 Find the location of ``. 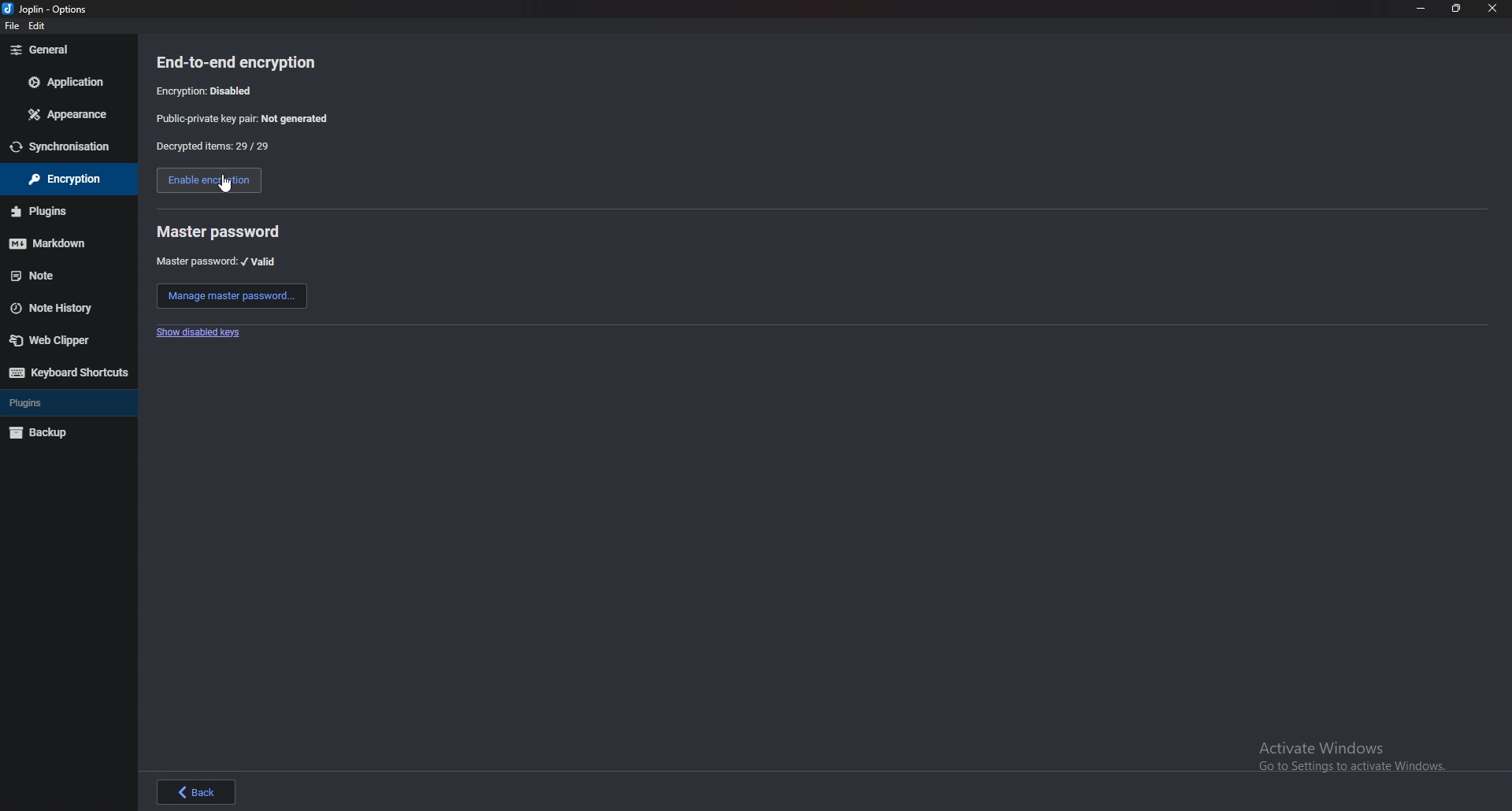

 is located at coordinates (61, 179).